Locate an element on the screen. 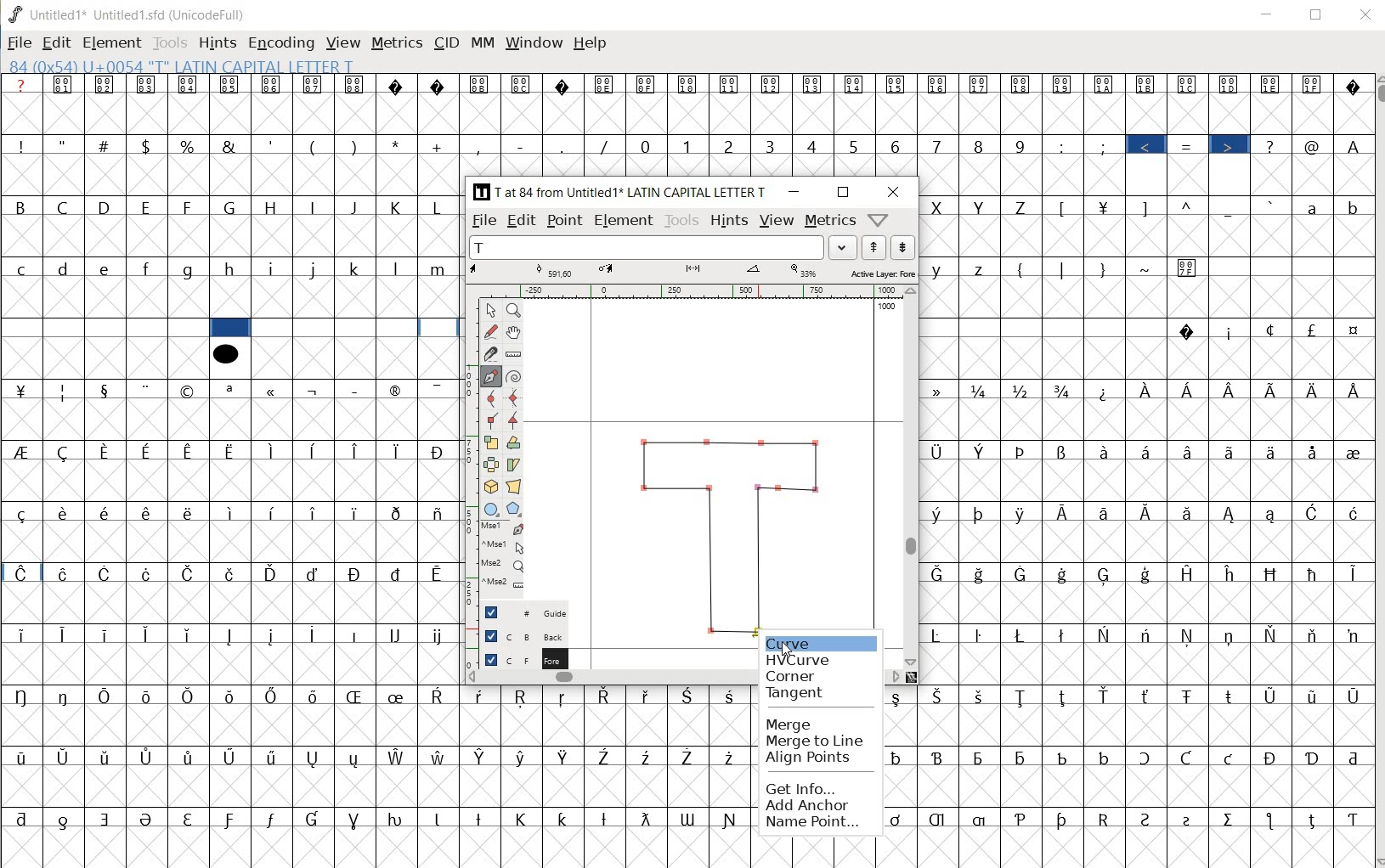  Symbol is located at coordinates (106, 695).